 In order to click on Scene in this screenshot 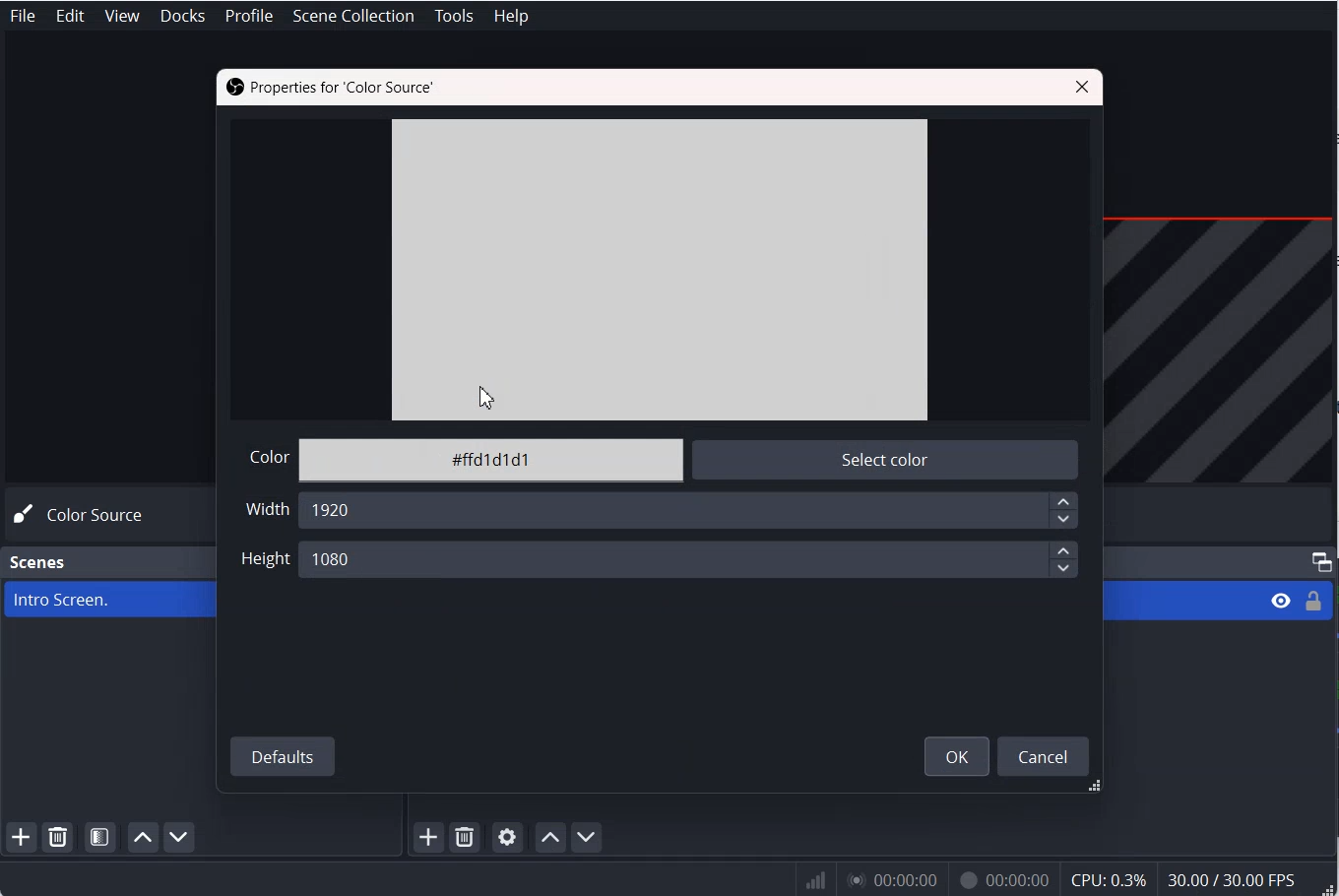, I will do `click(39, 562)`.